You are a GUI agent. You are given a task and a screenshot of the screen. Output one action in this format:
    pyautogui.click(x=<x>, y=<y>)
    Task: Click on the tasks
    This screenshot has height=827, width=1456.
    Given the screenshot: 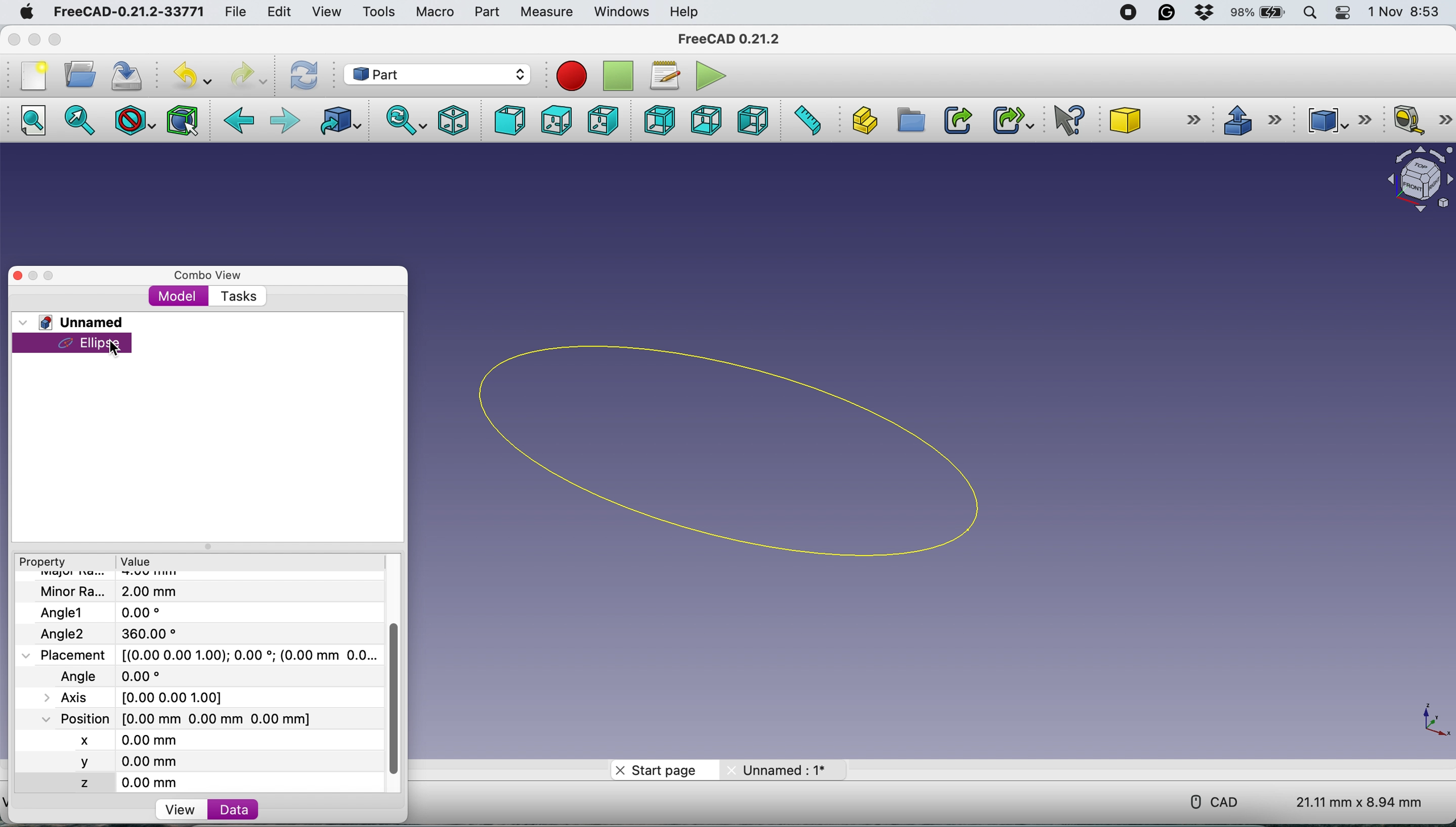 What is the action you would take?
    pyautogui.click(x=238, y=296)
    